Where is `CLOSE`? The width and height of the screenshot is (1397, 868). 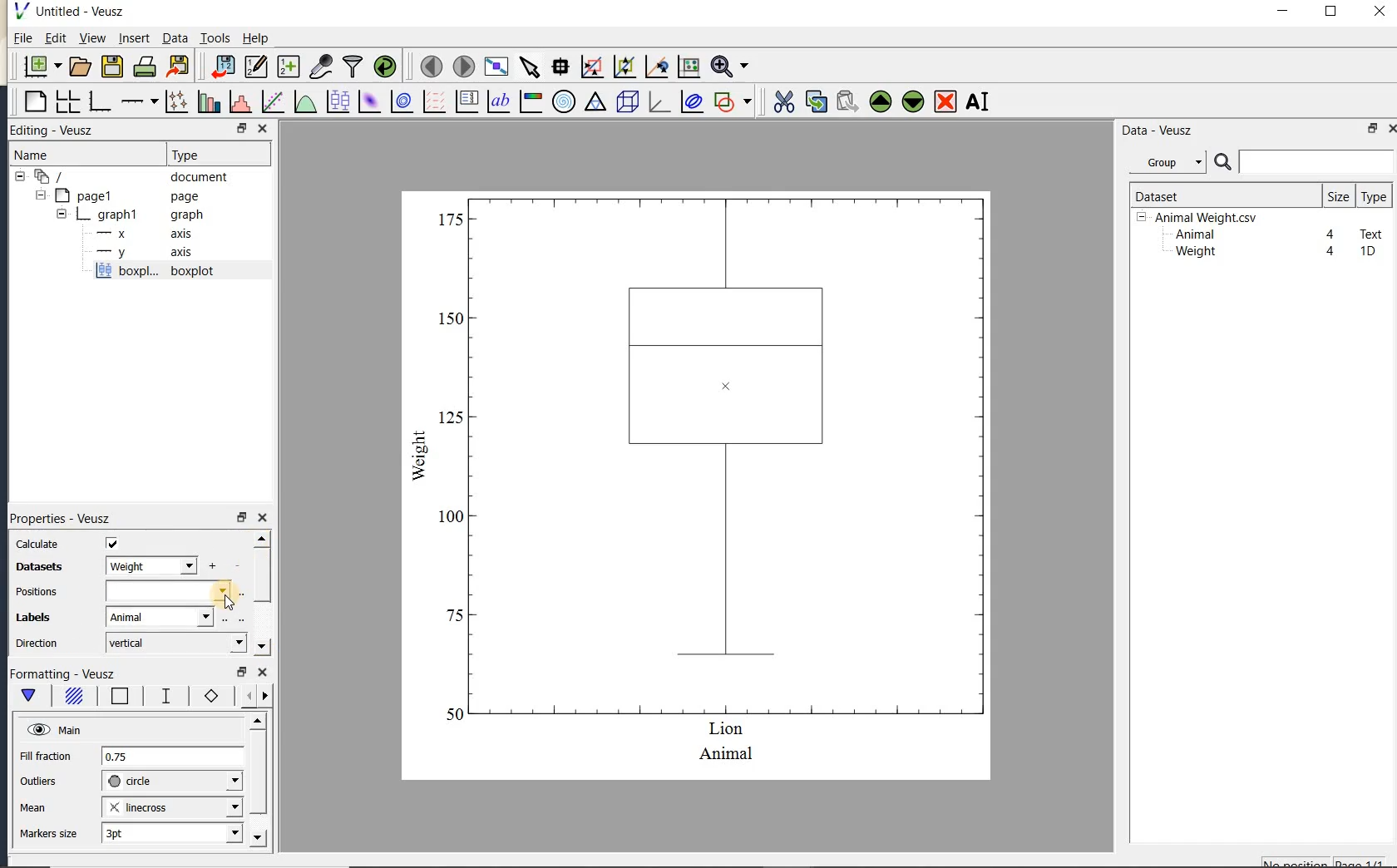
CLOSE is located at coordinates (262, 128).